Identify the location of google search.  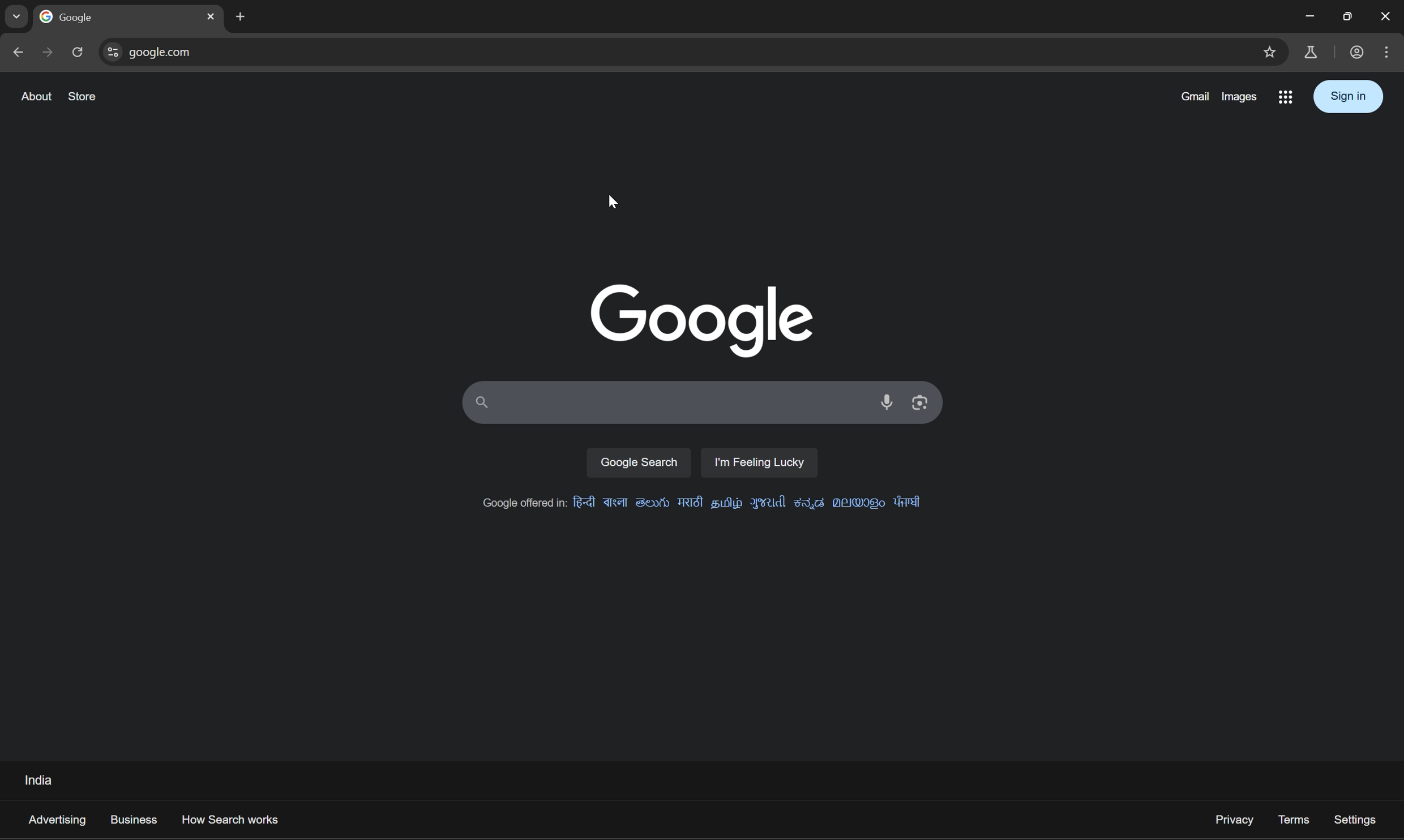
(640, 461).